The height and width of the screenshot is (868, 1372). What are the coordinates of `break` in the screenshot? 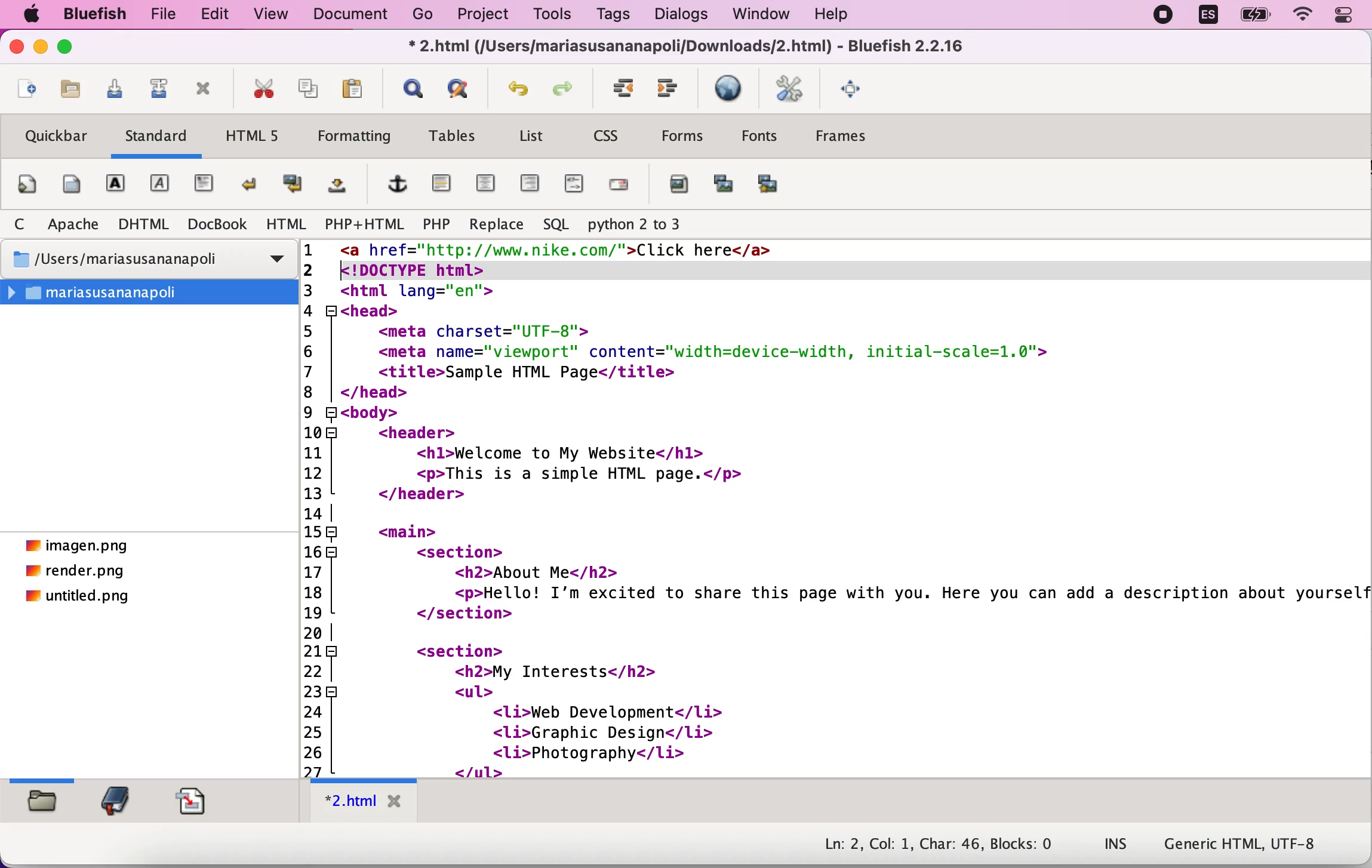 It's located at (253, 184).